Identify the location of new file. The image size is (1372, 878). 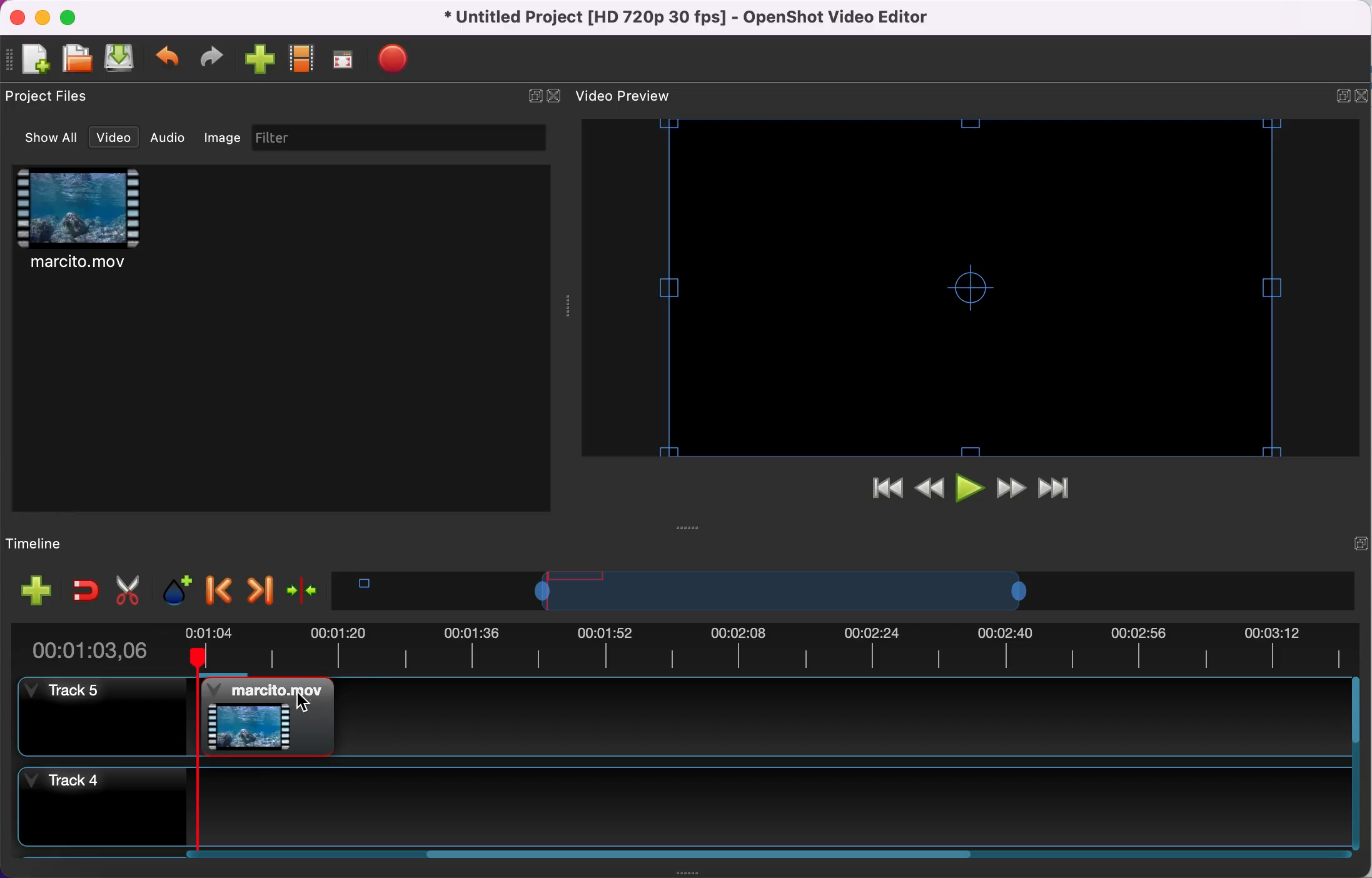
(29, 59).